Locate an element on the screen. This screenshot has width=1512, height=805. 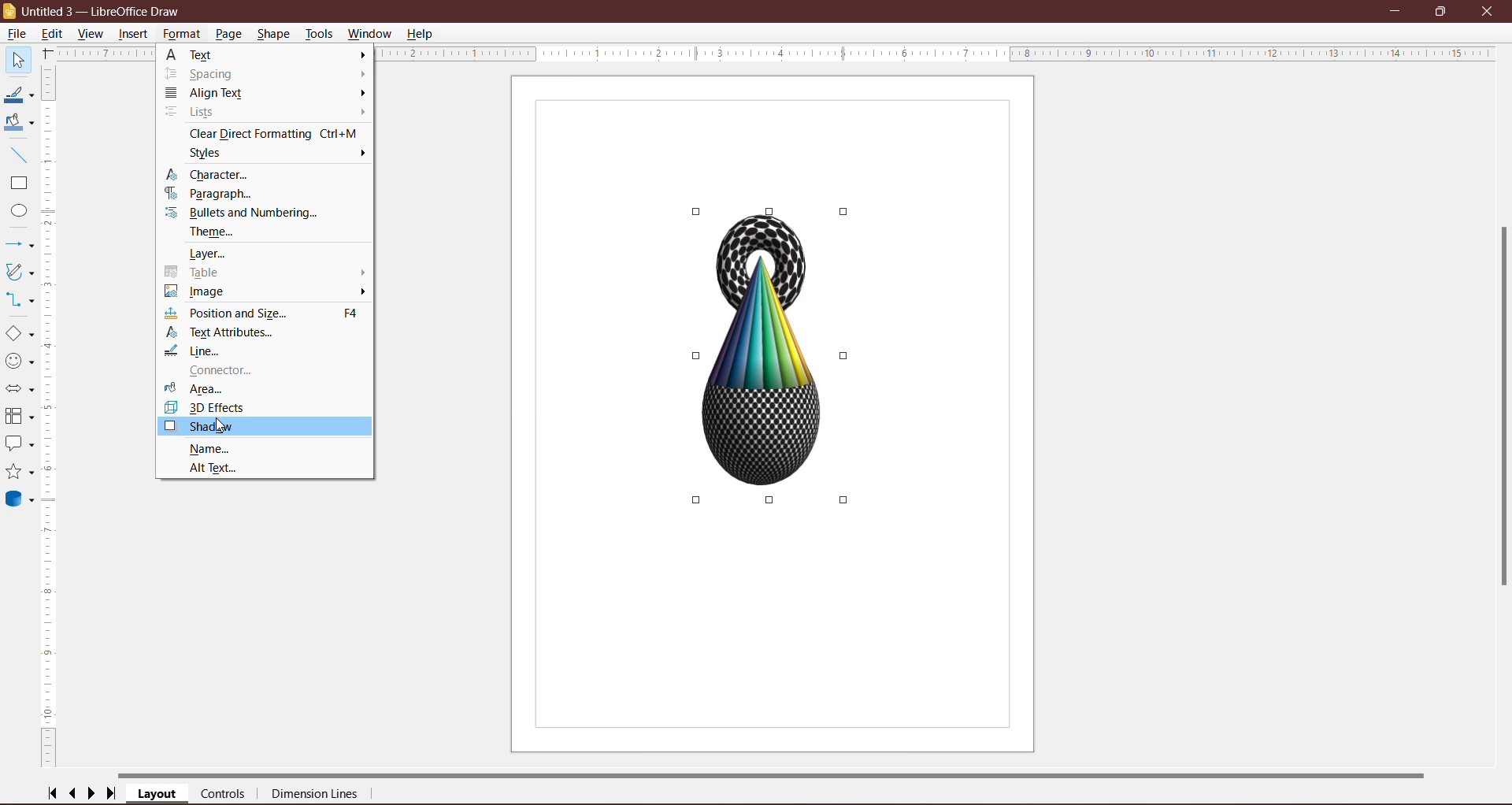
Image is located at coordinates (206, 292).